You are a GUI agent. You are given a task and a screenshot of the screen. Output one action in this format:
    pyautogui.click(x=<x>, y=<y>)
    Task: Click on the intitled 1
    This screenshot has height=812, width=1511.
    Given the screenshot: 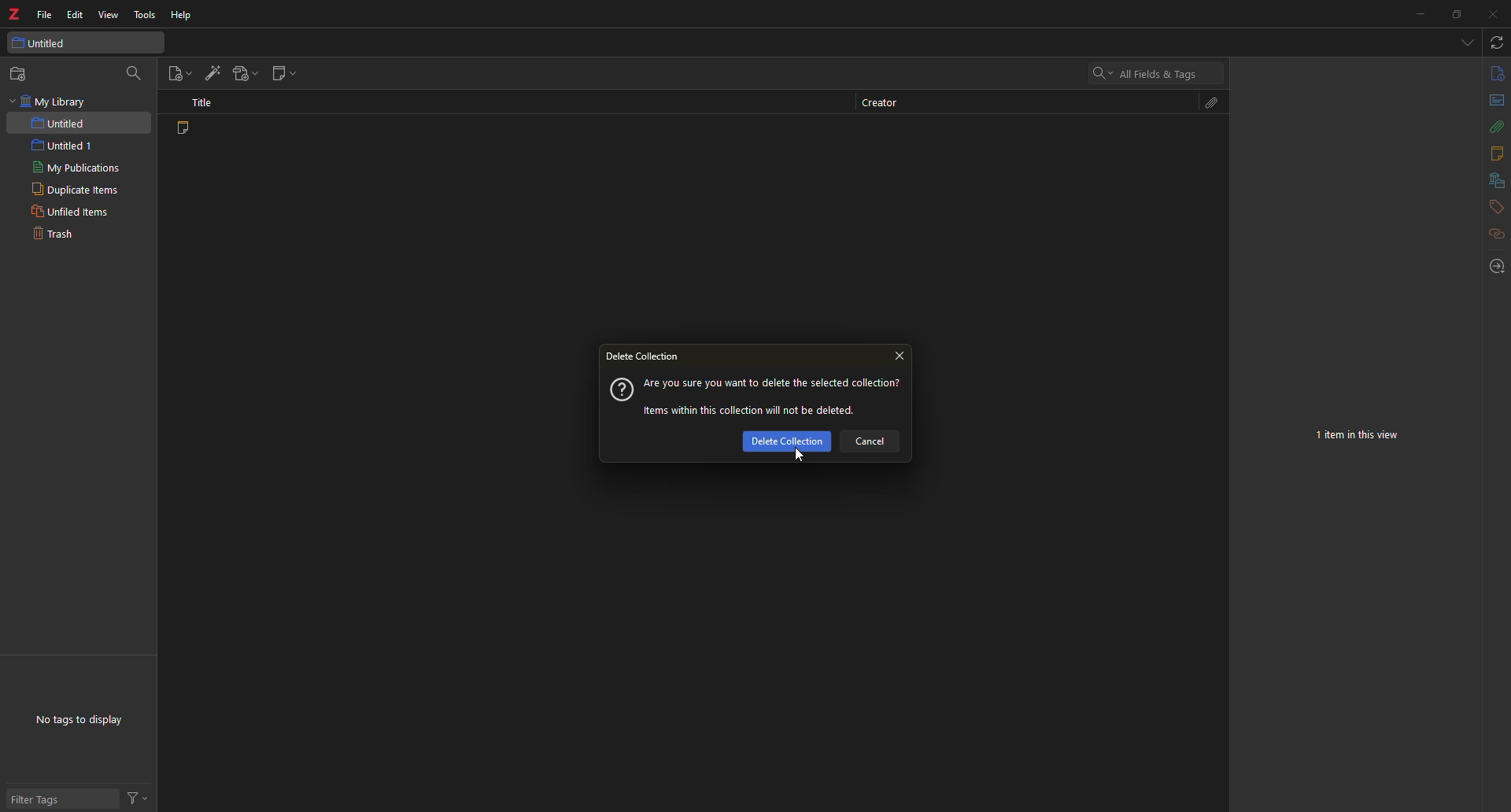 What is the action you would take?
    pyautogui.click(x=66, y=146)
    